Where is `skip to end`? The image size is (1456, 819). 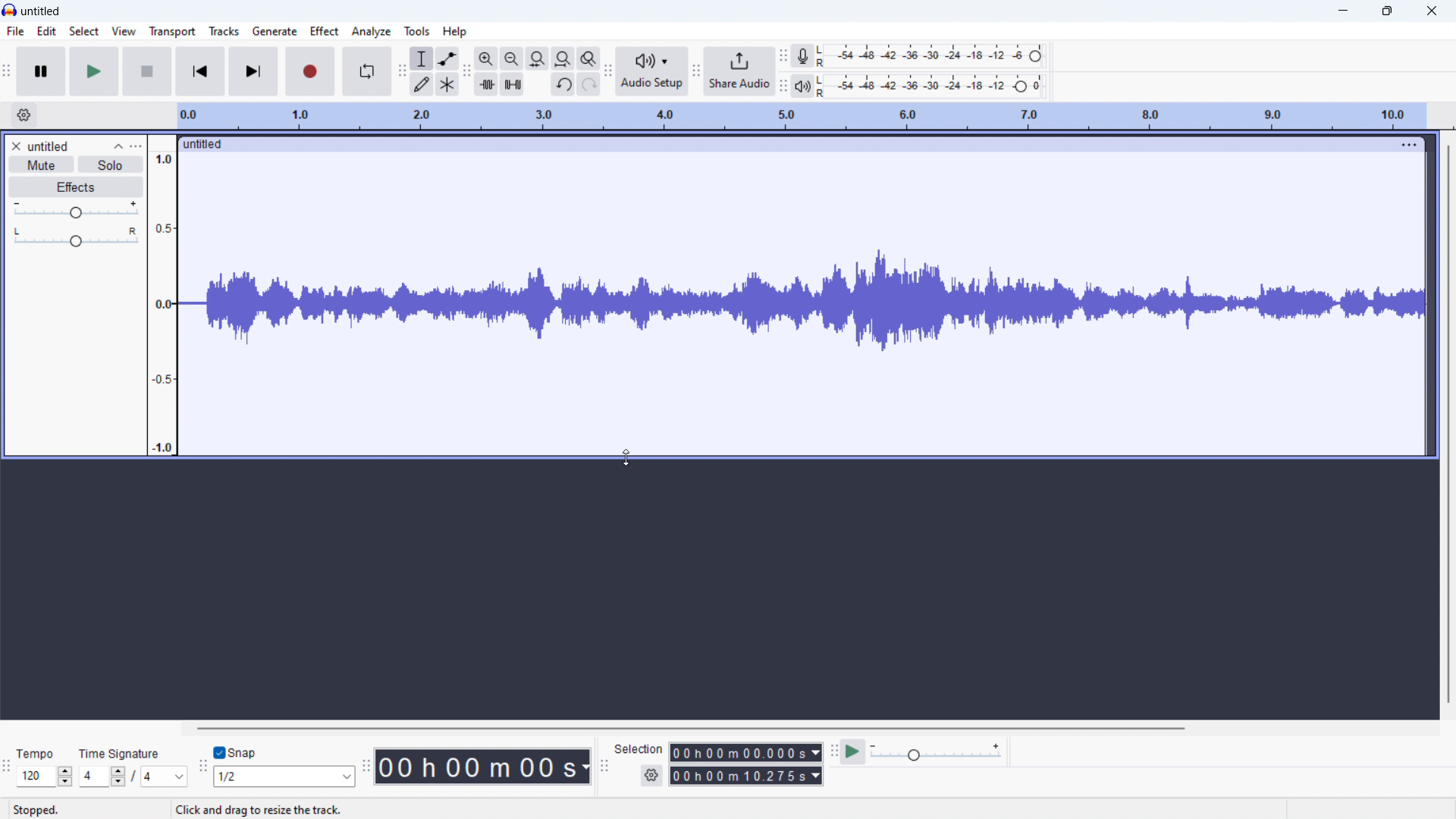
skip to end is located at coordinates (253, 71).